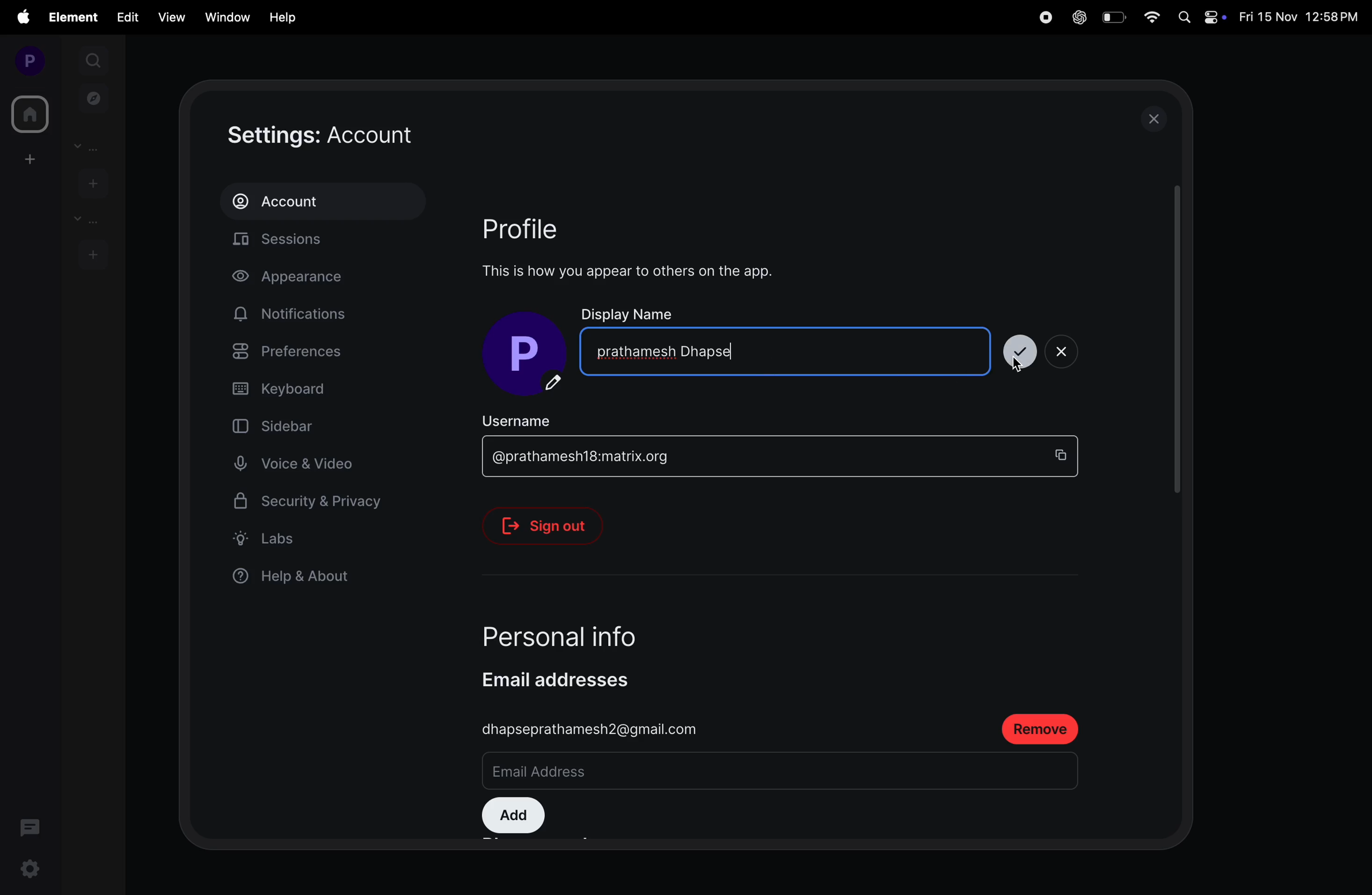 The image size is (1372, 895). What do you see at coordinates (308, 538) in the screenshot?
I see `labs` at bounding box center [308, 538].